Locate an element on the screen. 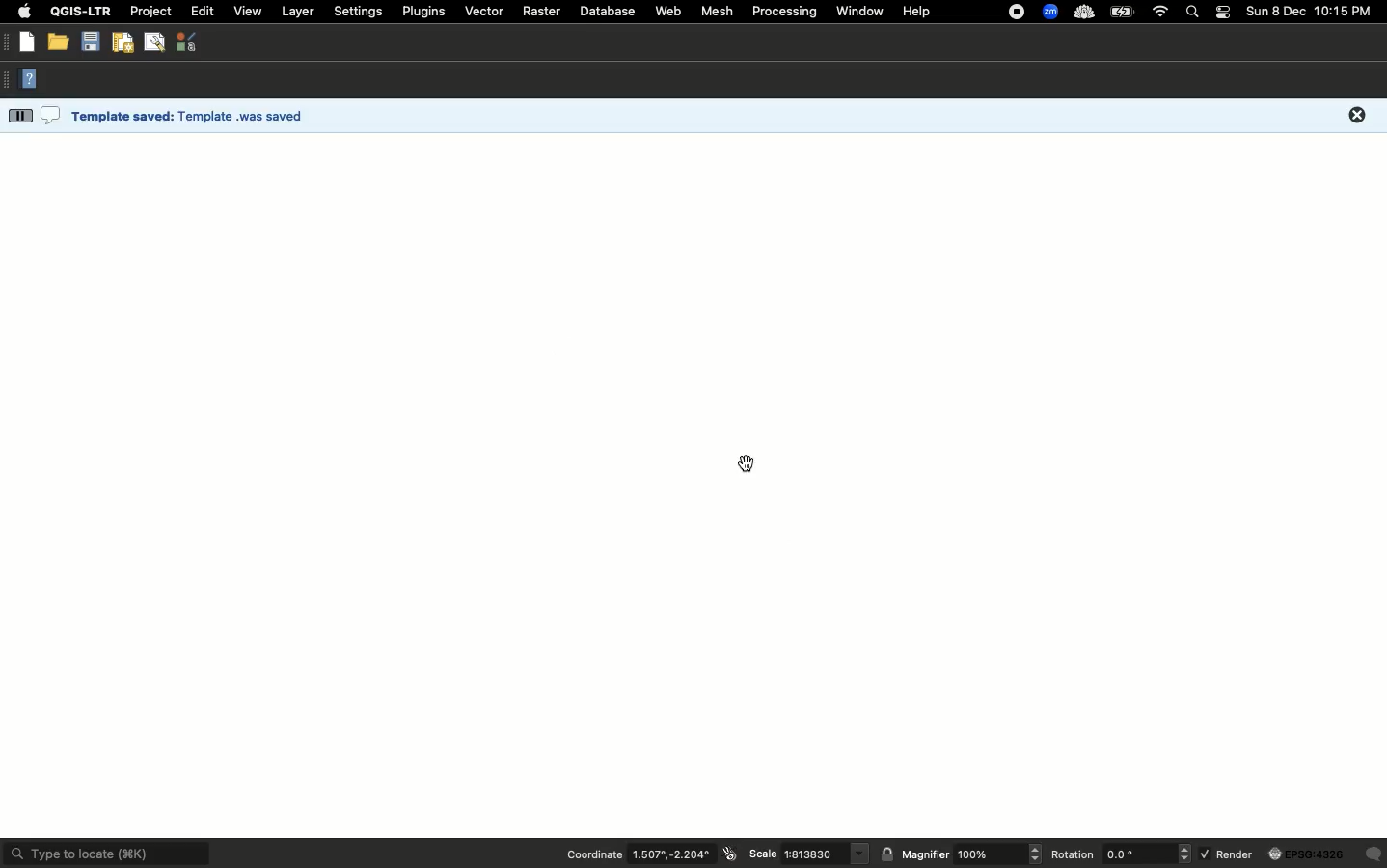 This screenshot has width=1387, height=868. icon is located at coordinates (729, 854).